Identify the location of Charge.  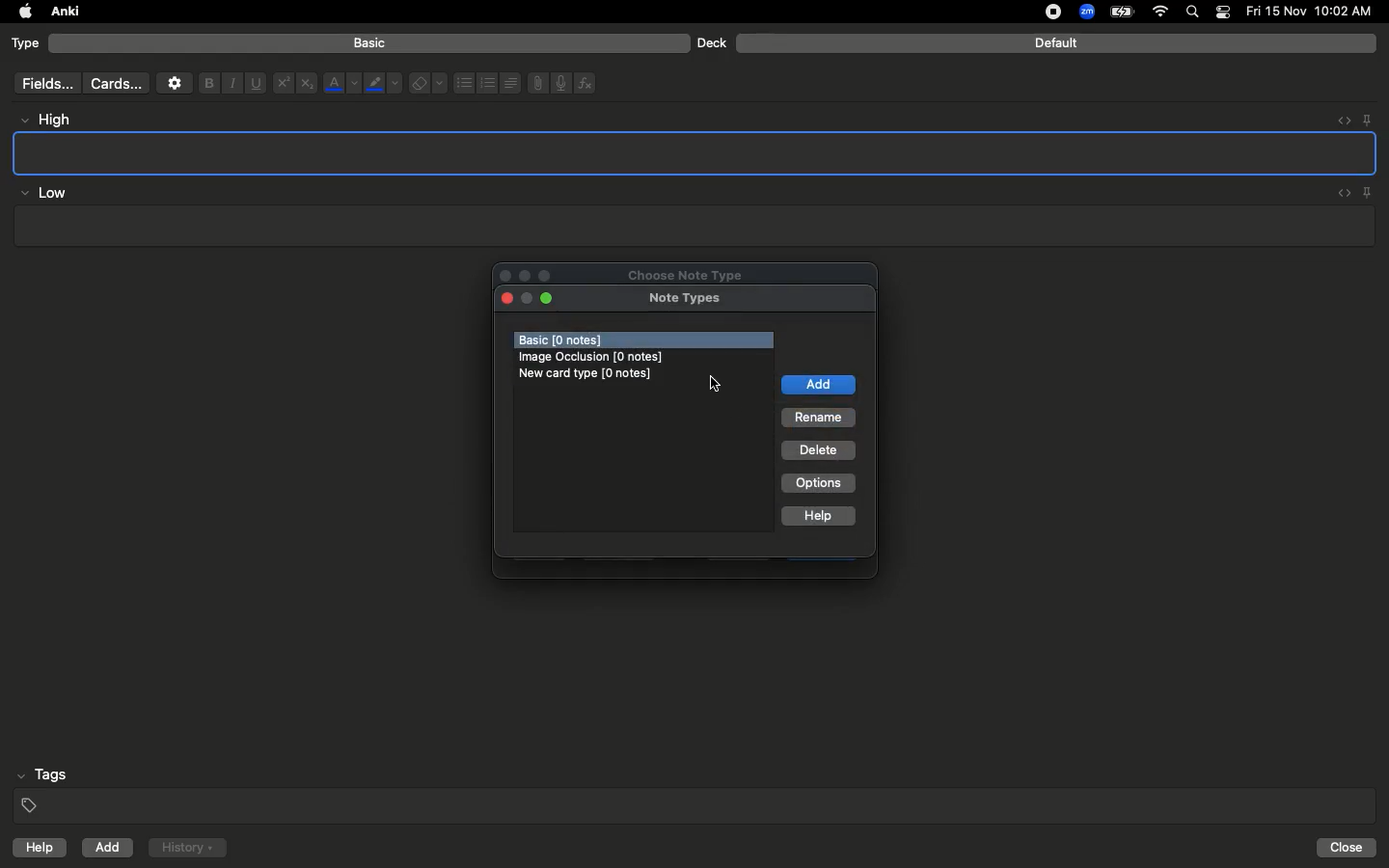
(1121, 12).